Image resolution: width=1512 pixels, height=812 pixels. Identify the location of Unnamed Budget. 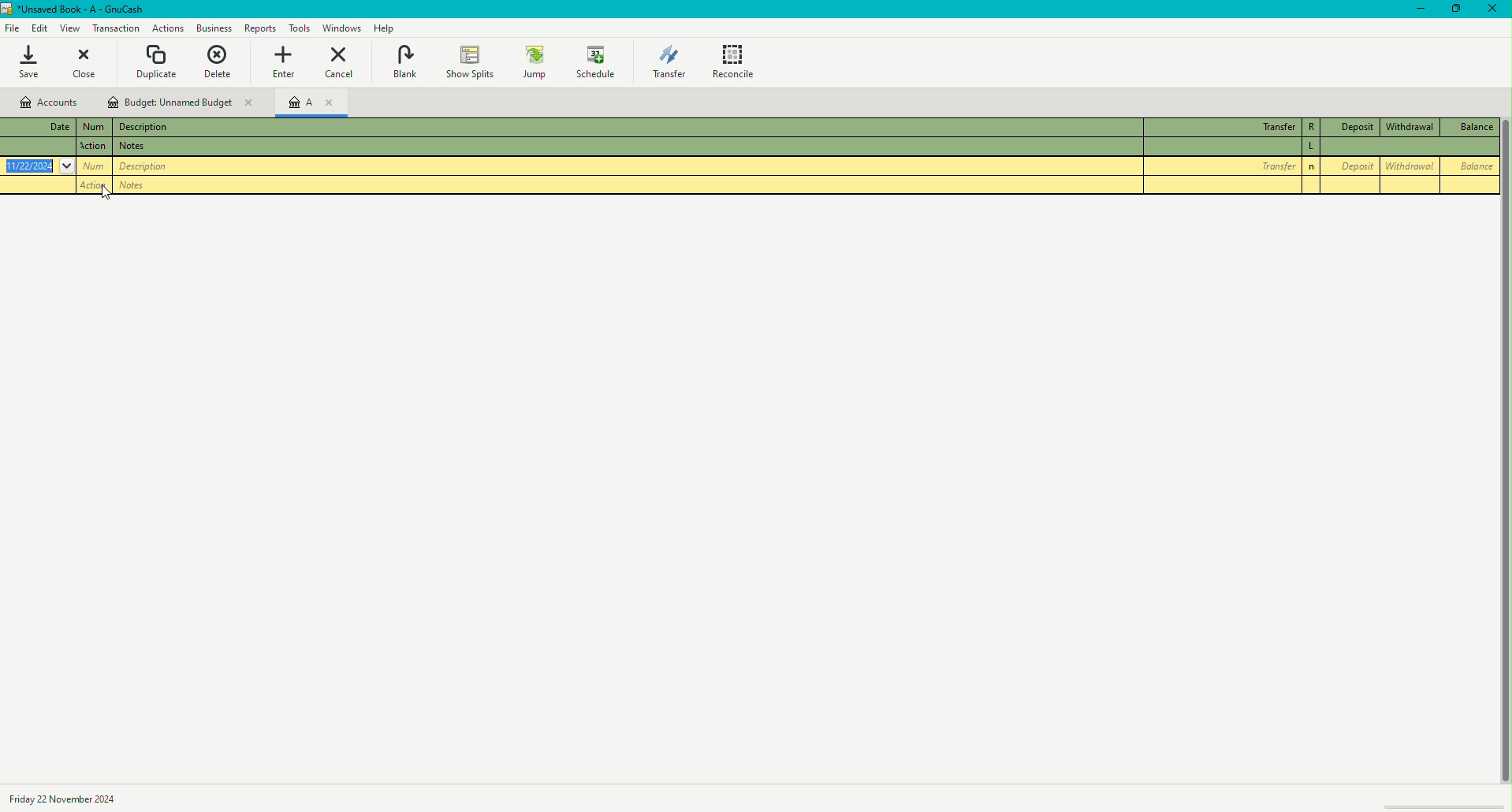
(180, 101).